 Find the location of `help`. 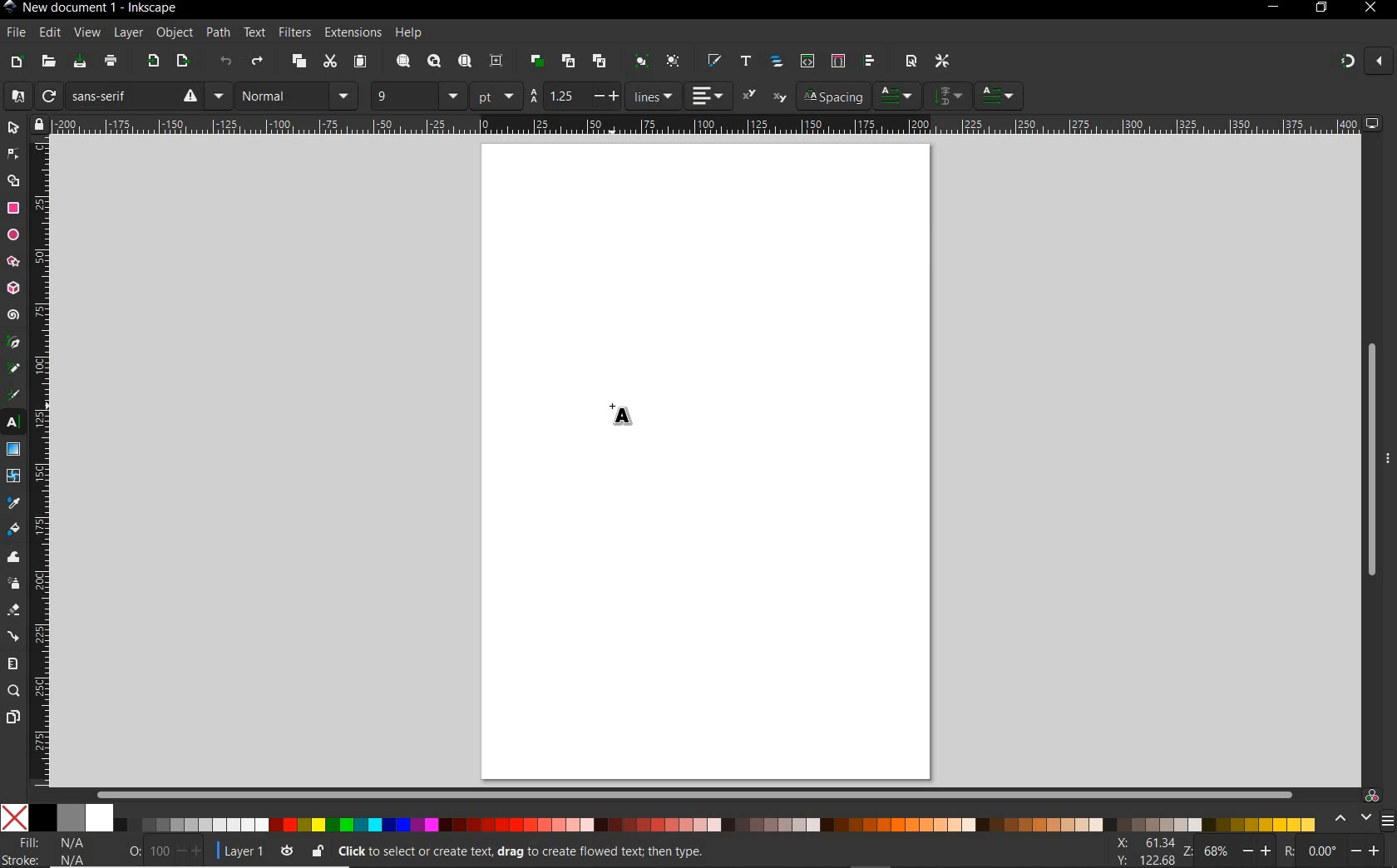

help is located at coordinates (410, 33).